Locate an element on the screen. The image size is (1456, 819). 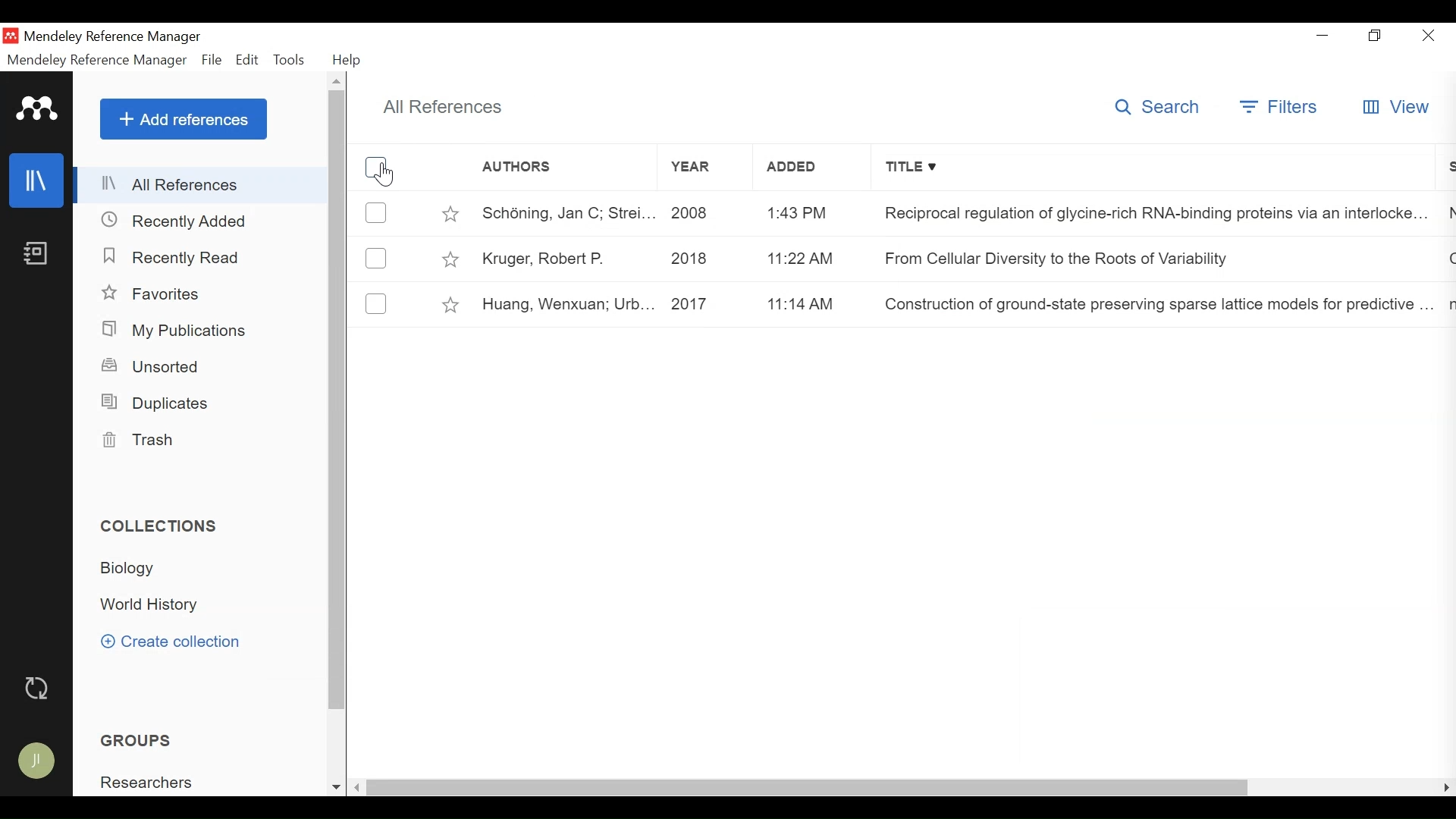
Restore is located at coordinates (1376, 36).